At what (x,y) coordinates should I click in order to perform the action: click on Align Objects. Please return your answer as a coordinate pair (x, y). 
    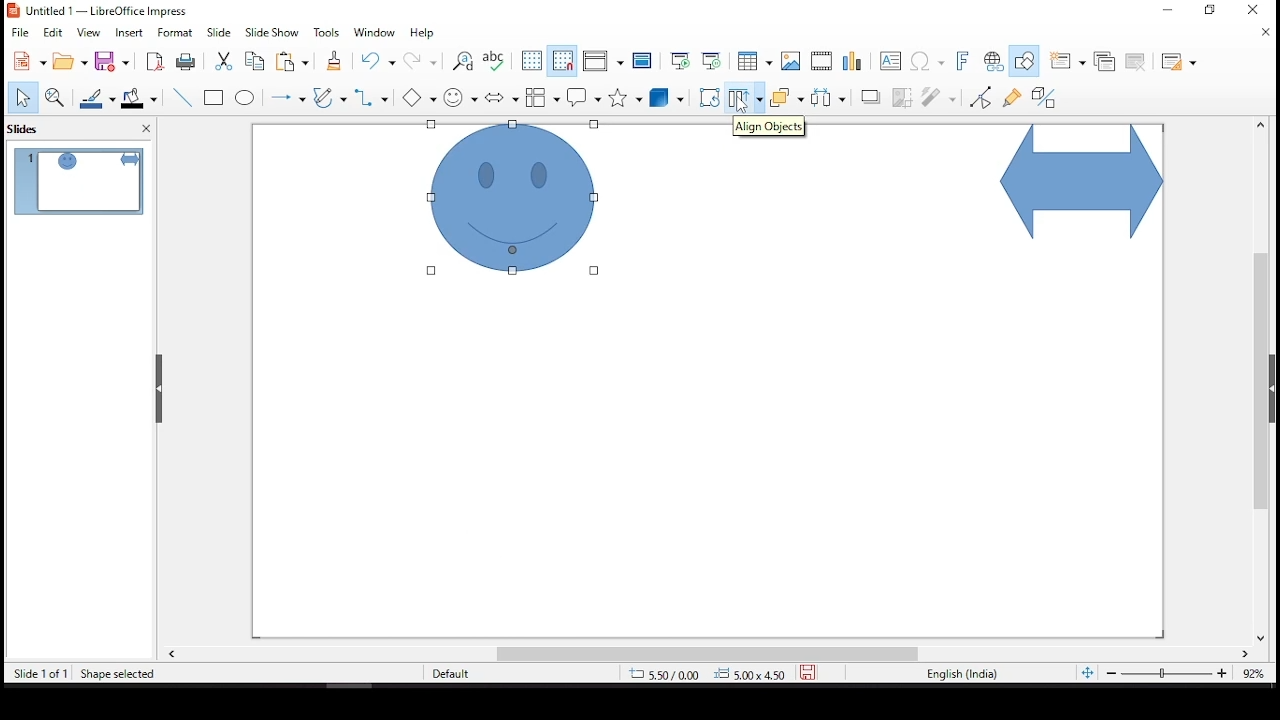
    Looking at the image, I should click on (770, 128).